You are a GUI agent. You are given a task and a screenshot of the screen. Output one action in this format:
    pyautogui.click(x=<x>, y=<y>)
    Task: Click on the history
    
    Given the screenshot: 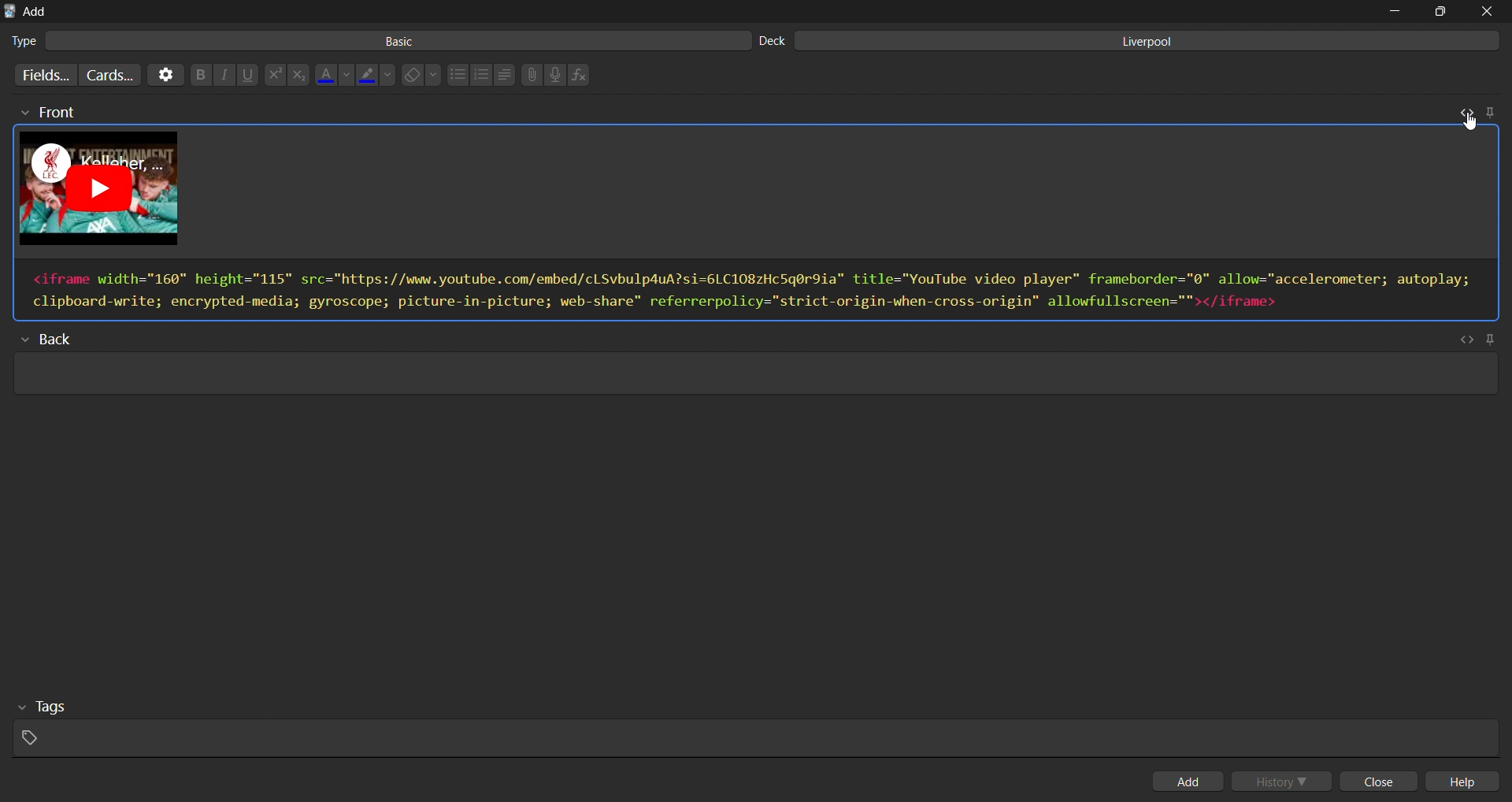 What is the action you would take?
    pyautogui.click(x=1285, y=780)
    